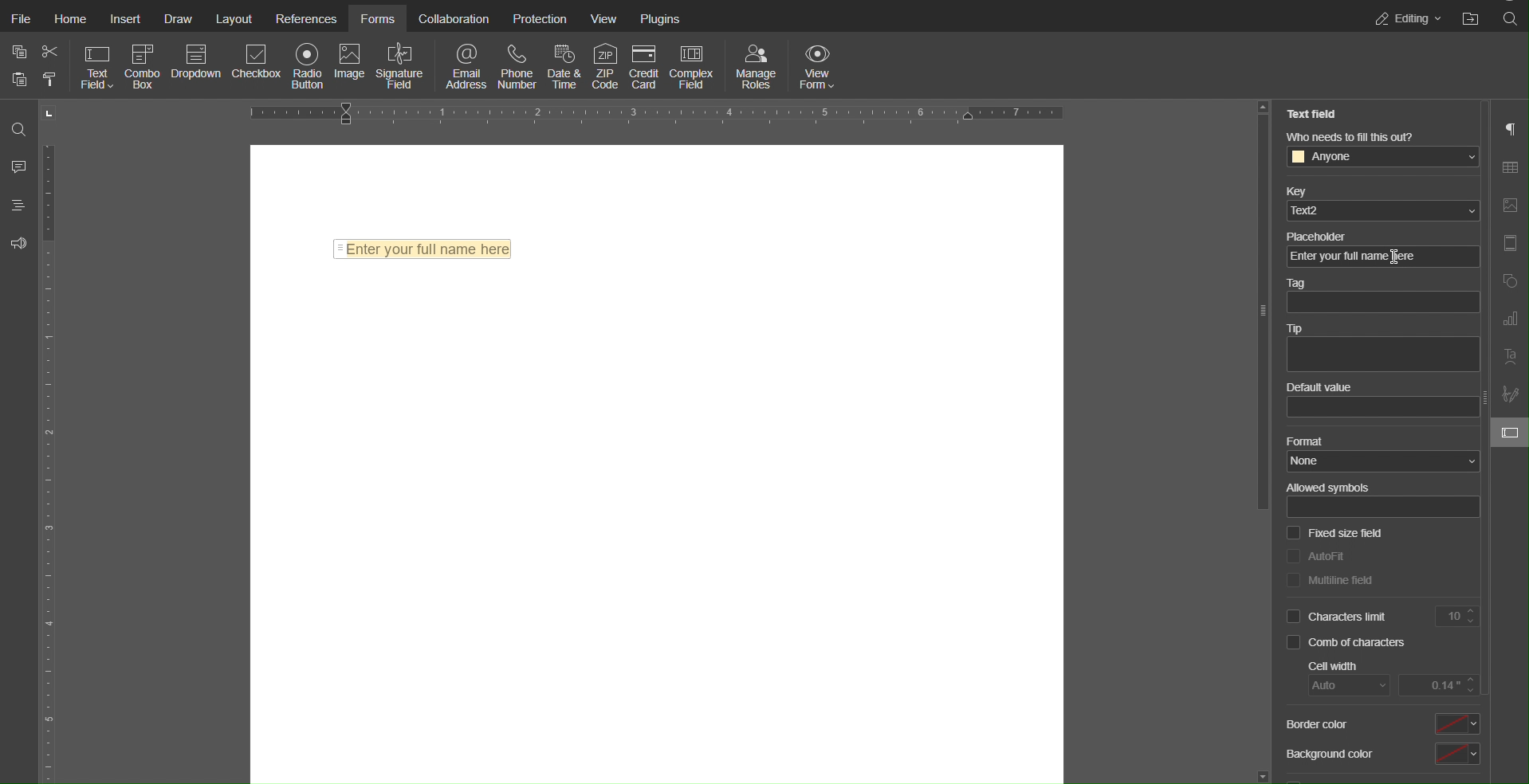  What do you see at coordinates (1508, 394) in the screenshot?
I see `Signature` at bounding box center [1508, 394].